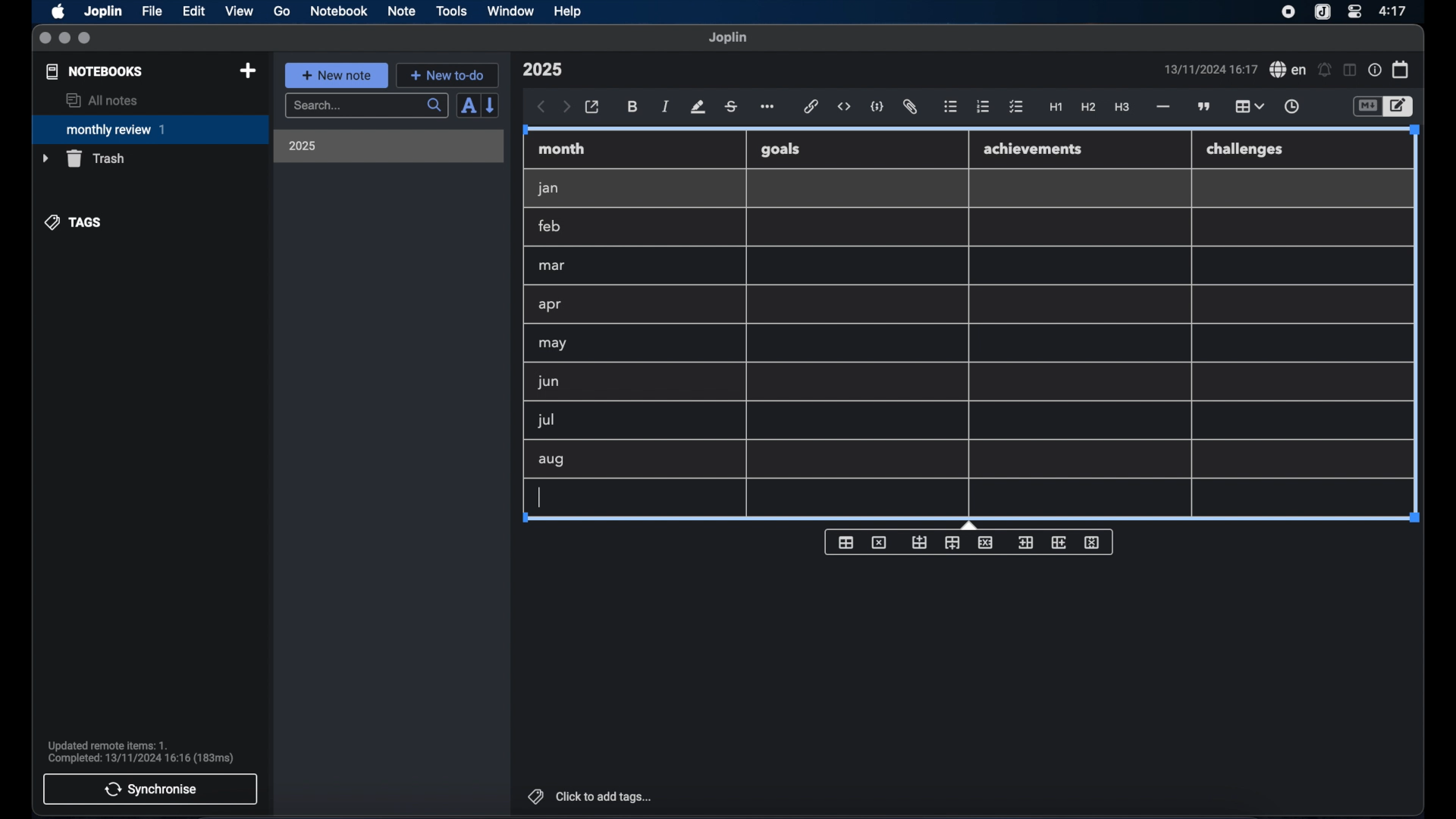 The image size is (1456, 819). What do you see at coordinates (769, 108) in the screenshot?
I see `more options` at bounding box center [769, 108].